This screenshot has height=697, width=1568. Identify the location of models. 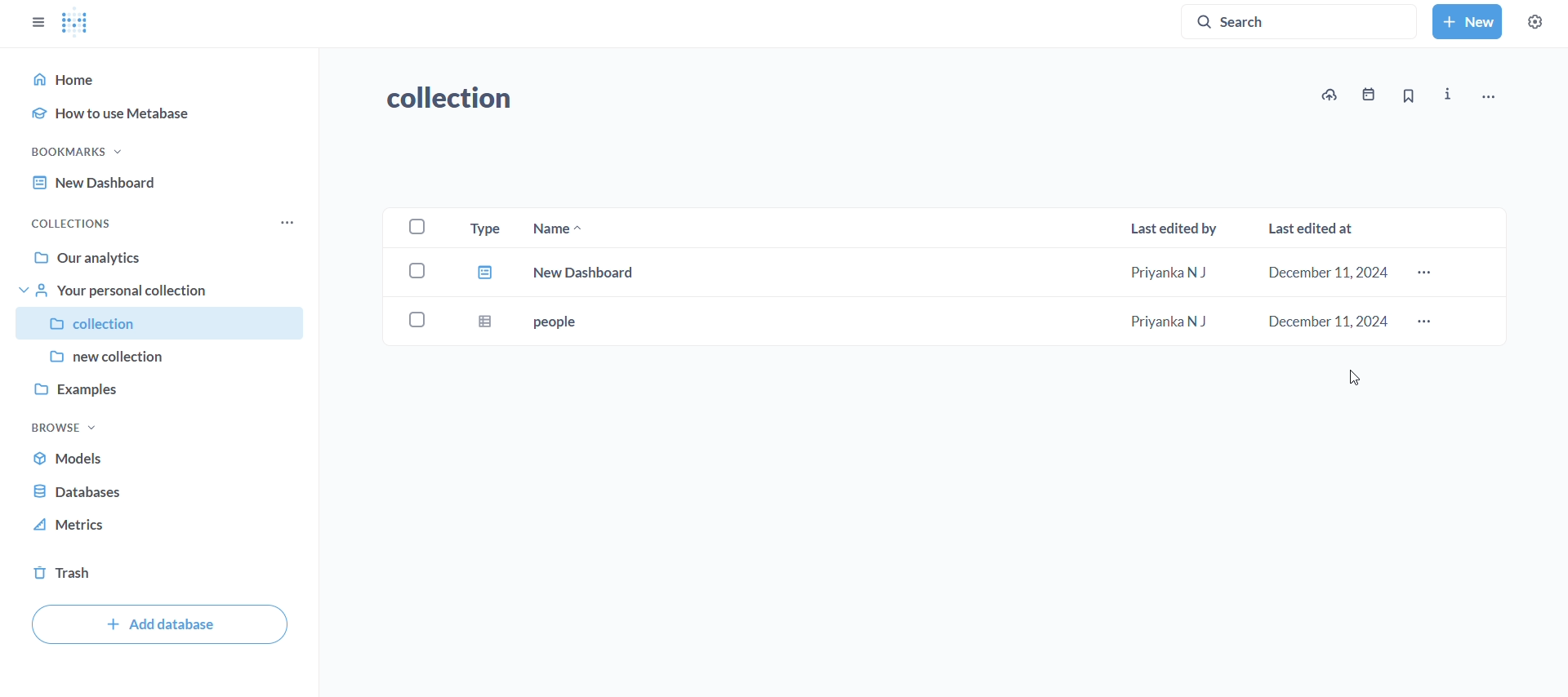
(75, 459).